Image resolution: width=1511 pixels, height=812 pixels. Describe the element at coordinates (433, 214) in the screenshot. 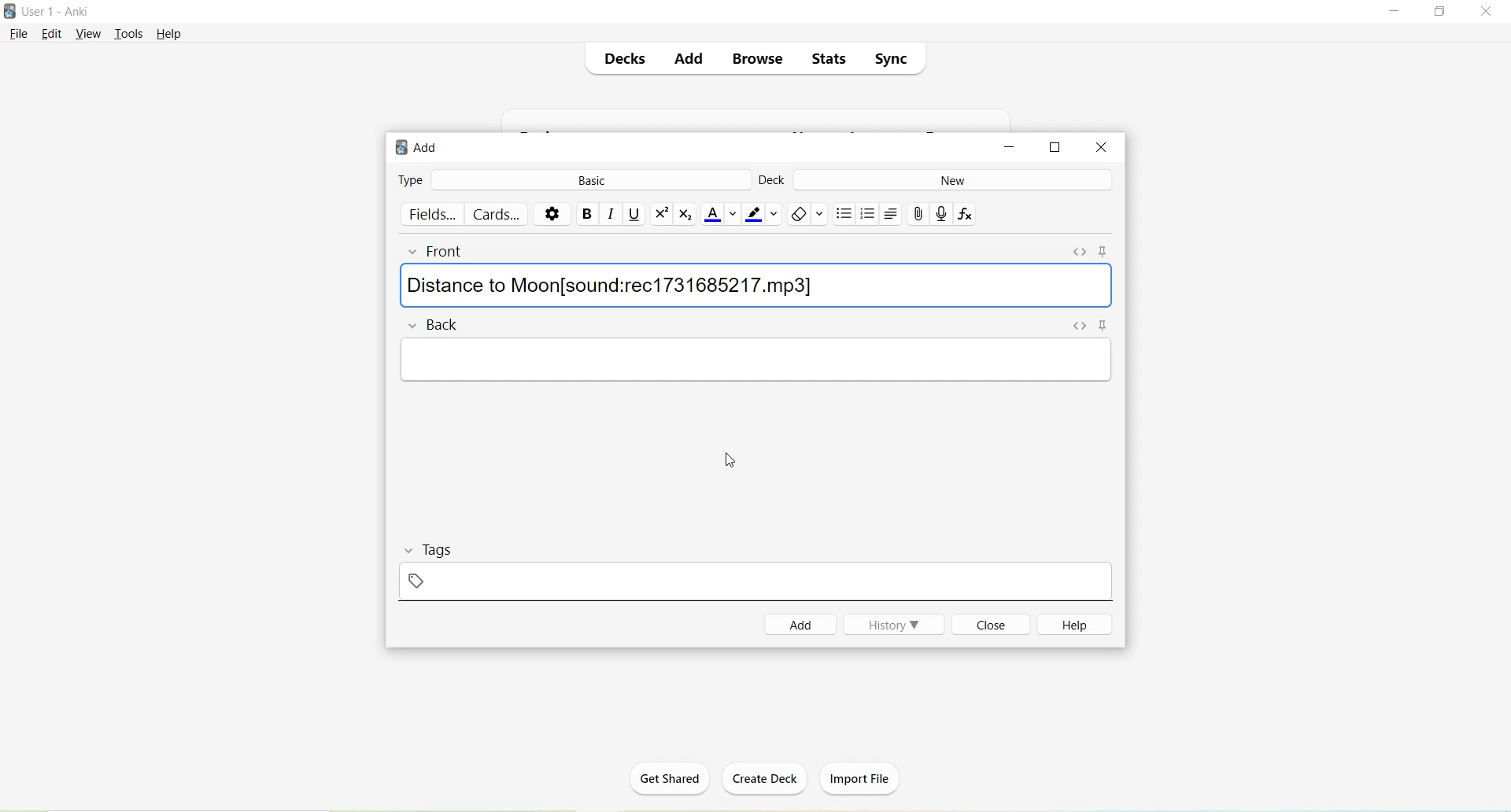

I see `Fields..` at that location.